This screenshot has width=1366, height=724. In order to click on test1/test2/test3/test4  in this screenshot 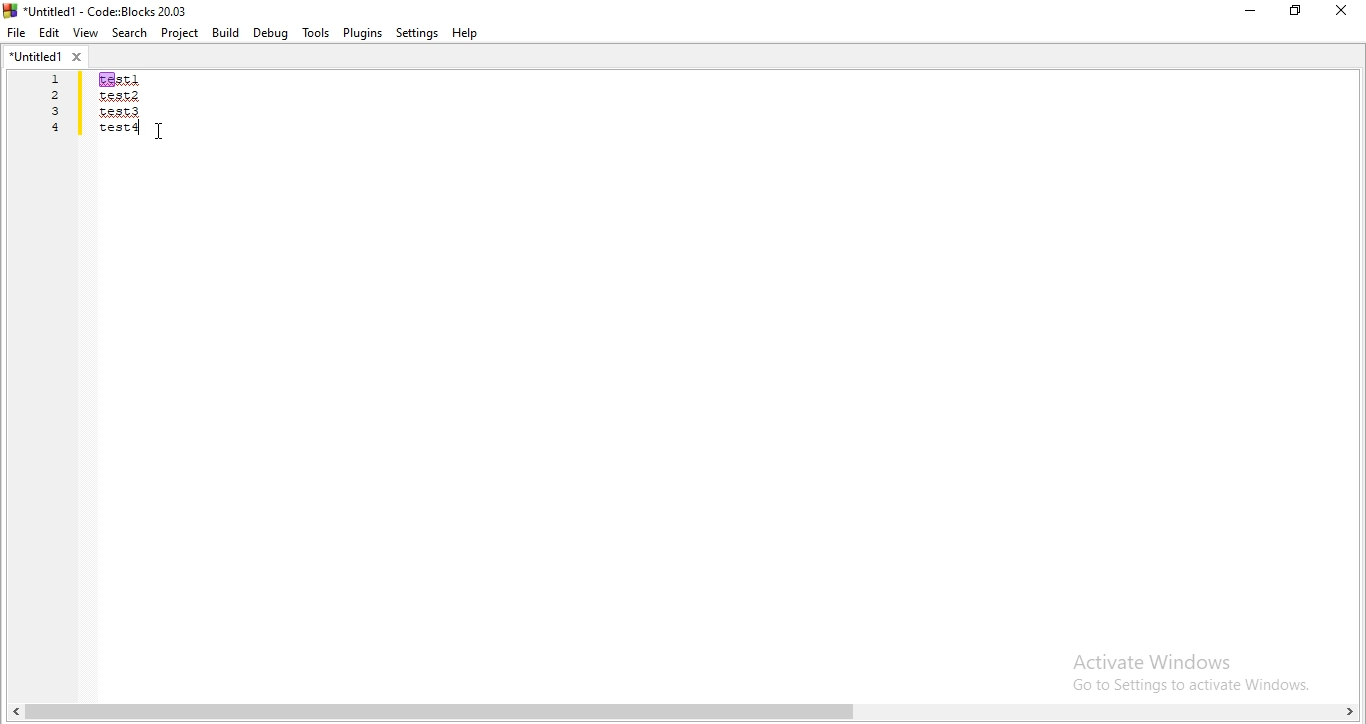, I will do `click(117, 102)`.